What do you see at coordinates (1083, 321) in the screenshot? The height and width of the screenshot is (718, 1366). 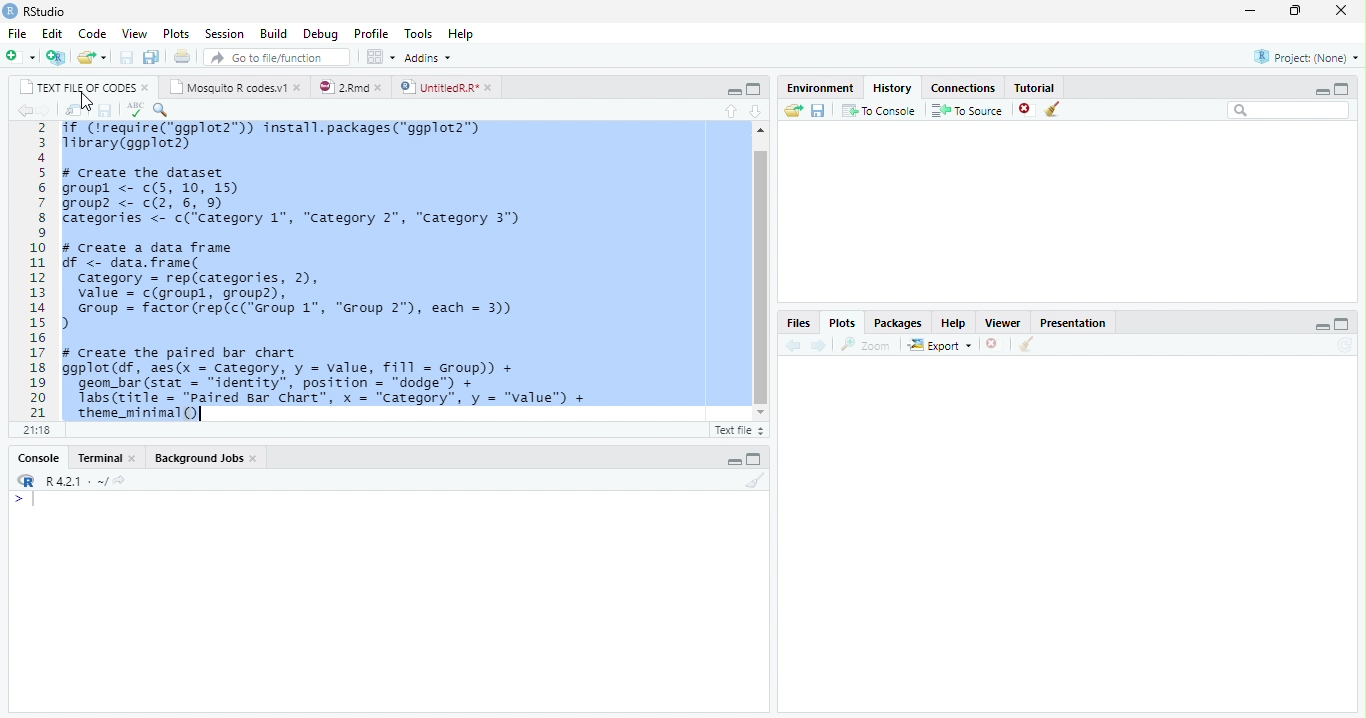 I see `presentation` at bounding box center [1083, 321].